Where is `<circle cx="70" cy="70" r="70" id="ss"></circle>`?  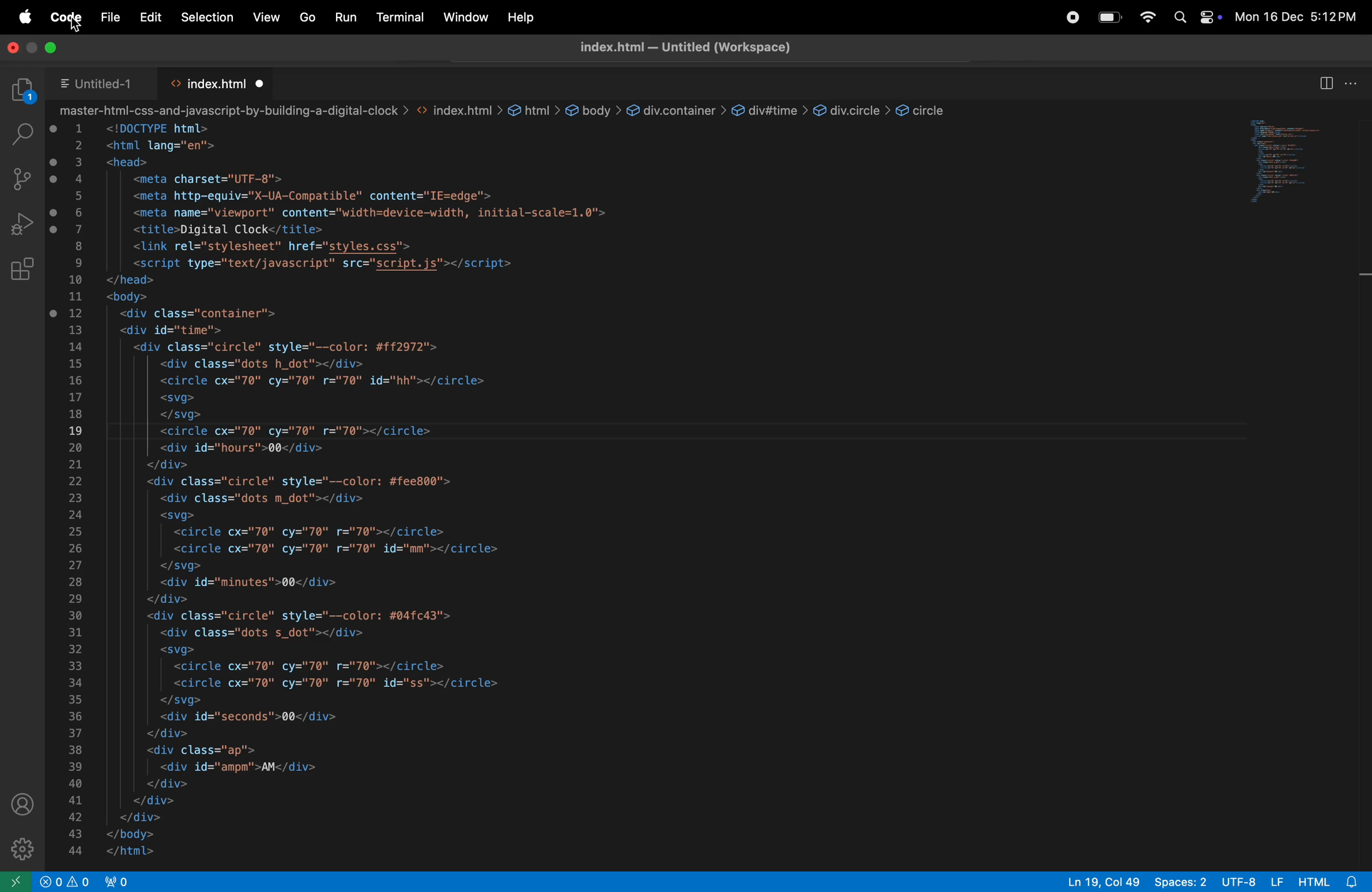
<circle cx="70" cy="70" r="70" id="ss"></circle> is located at coordinates (341, 682).